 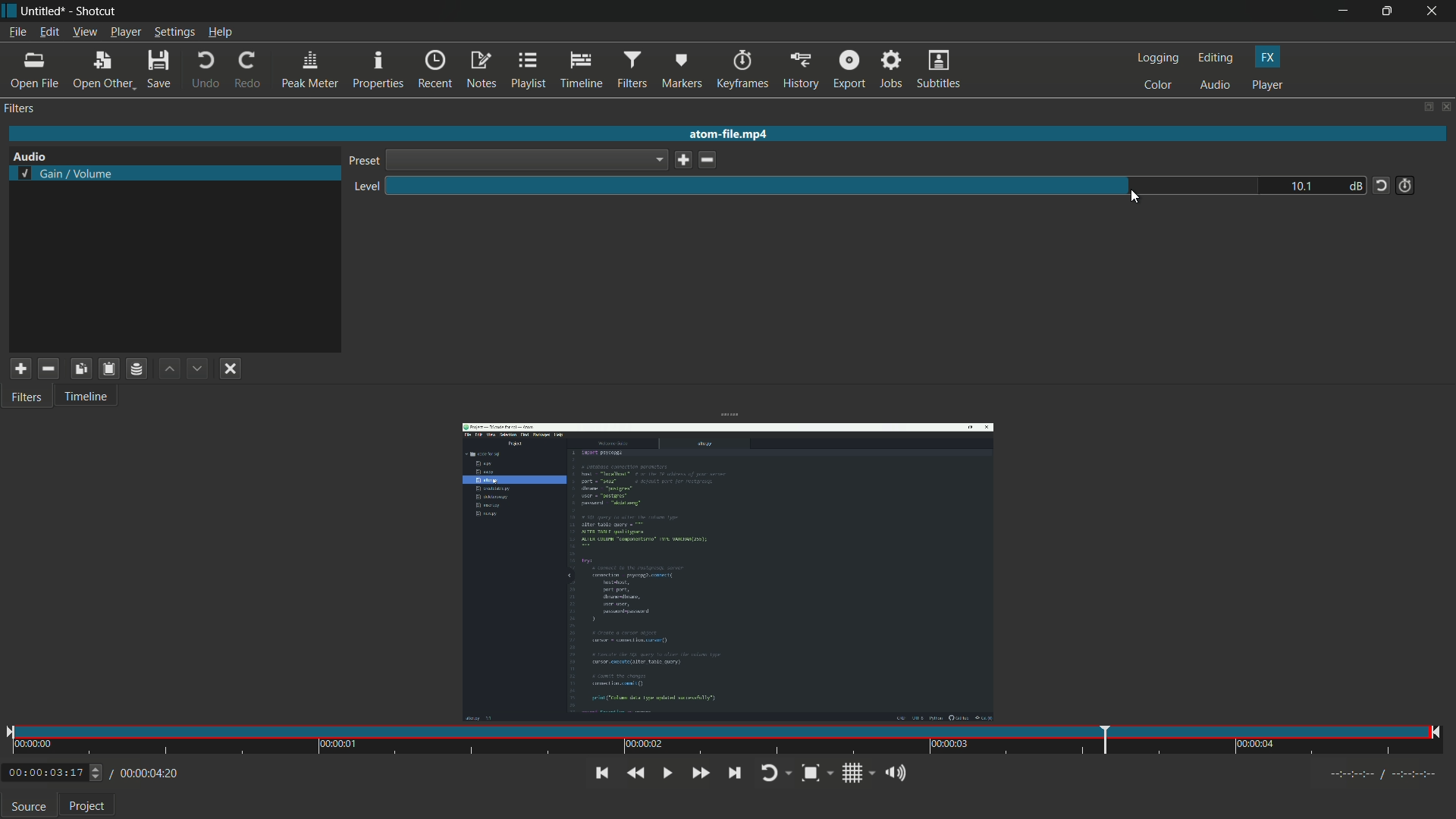 I want to click on toggle play or pause, so click(x=667, y=773).